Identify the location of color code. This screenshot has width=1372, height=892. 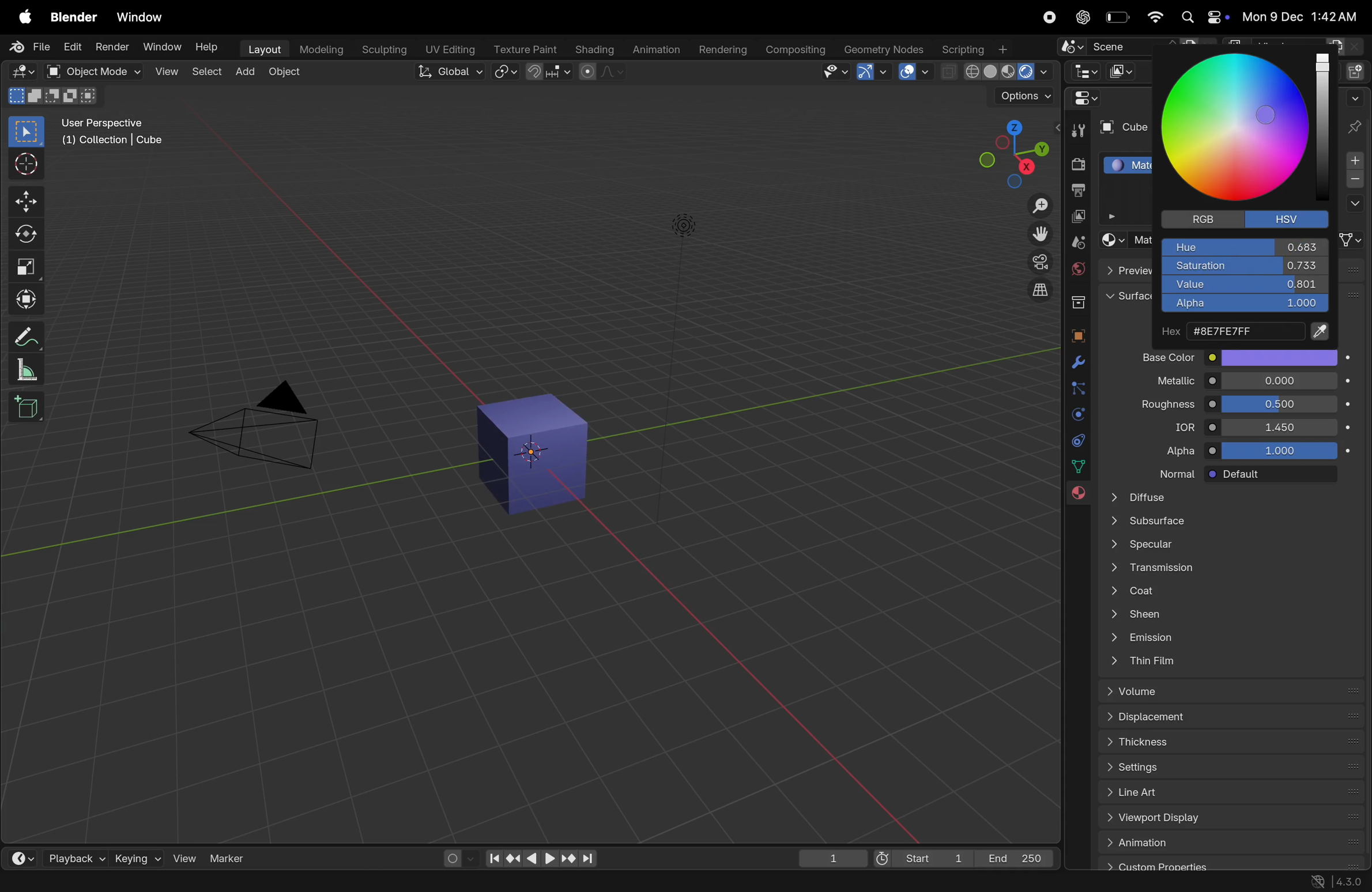
(1246, 332).